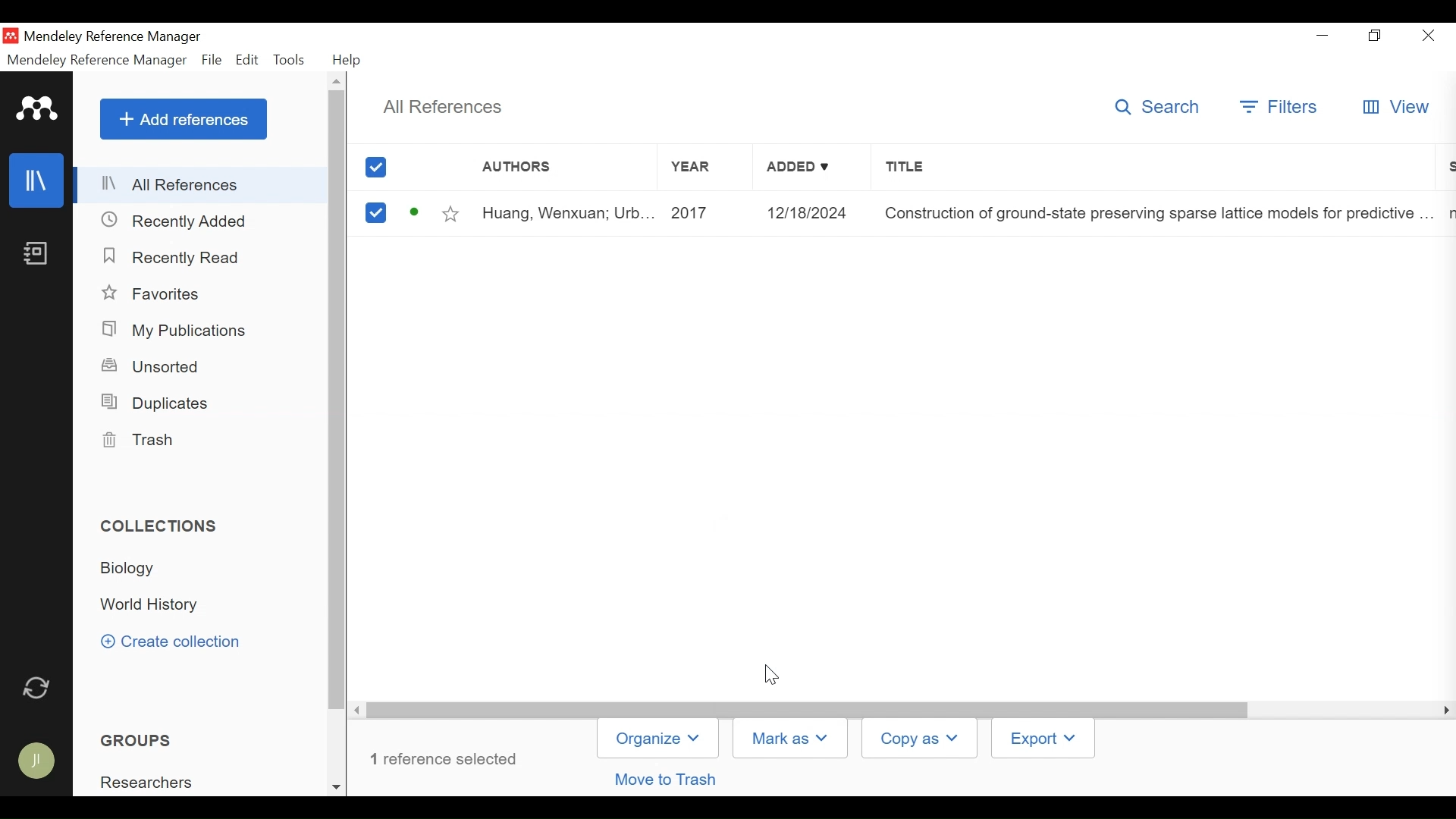 This screenshot has width=1456, height=819. I want to click on Avatar, so click(39, 760).